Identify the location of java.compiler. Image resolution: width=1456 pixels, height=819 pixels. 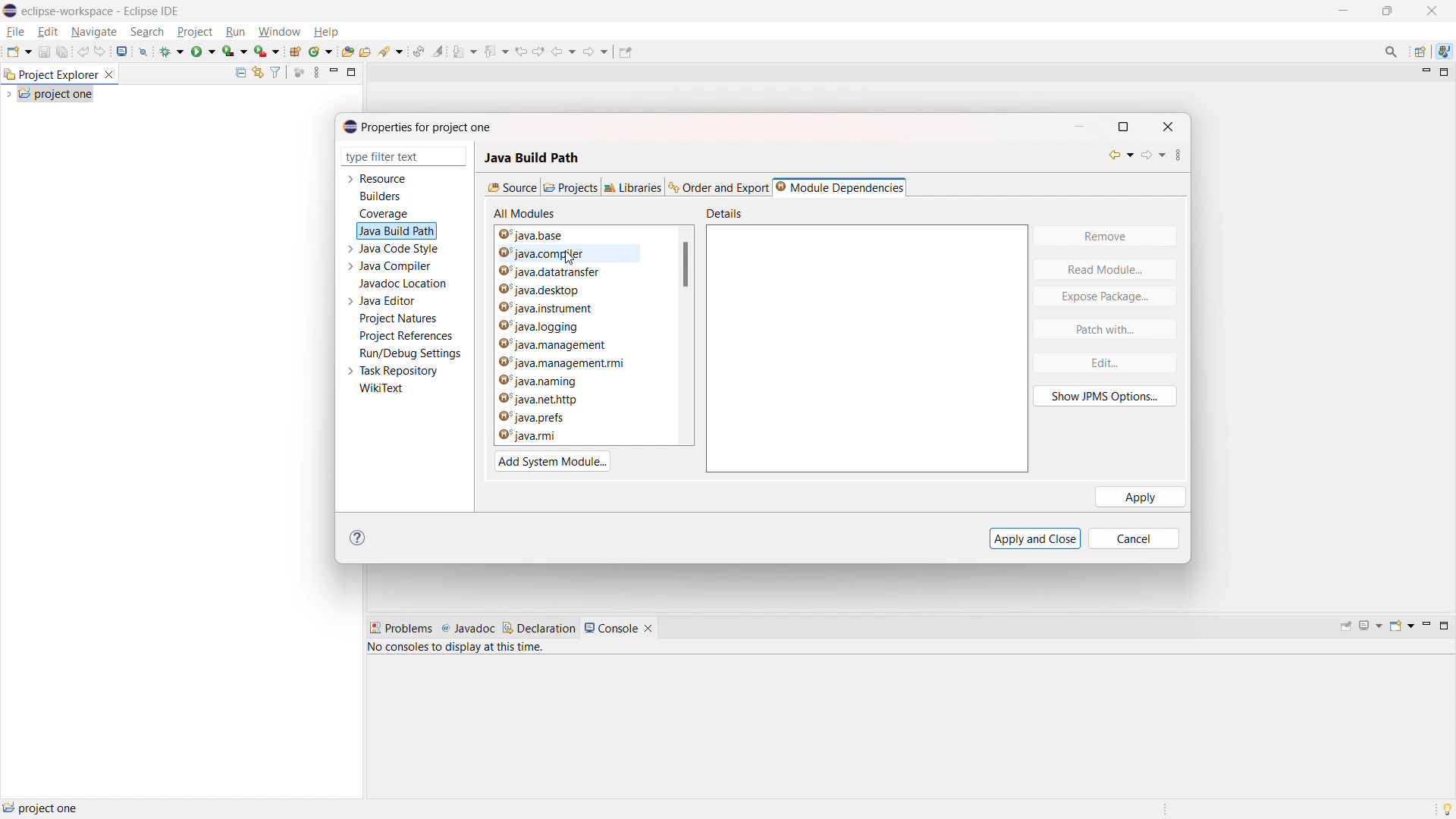
(581, 255).